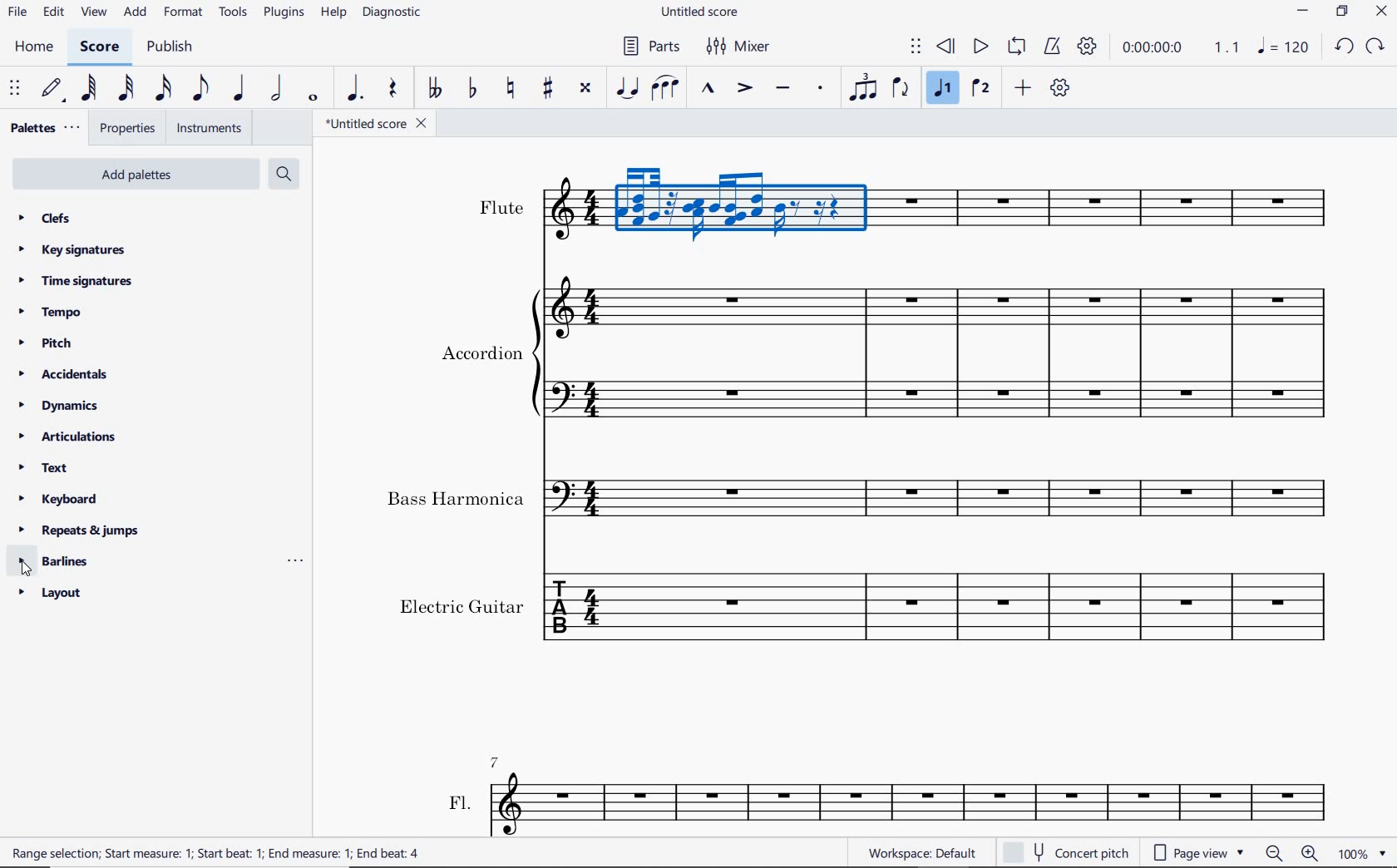  What do you see at coordinates (51, 311) in the screenshot?
I see `tempo` at bounding box center [51, 311].